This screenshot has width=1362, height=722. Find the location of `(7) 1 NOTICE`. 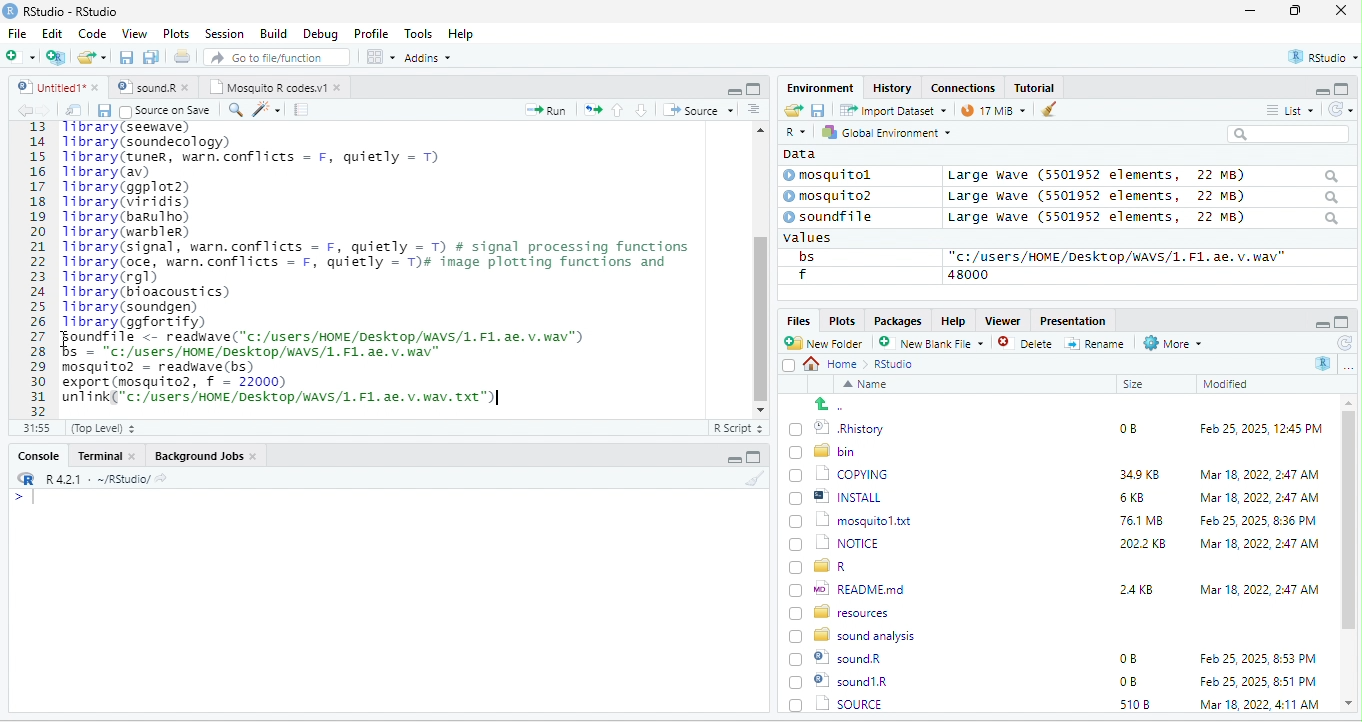

(7) 1 NOTICE is located at coordinates (832, 544).